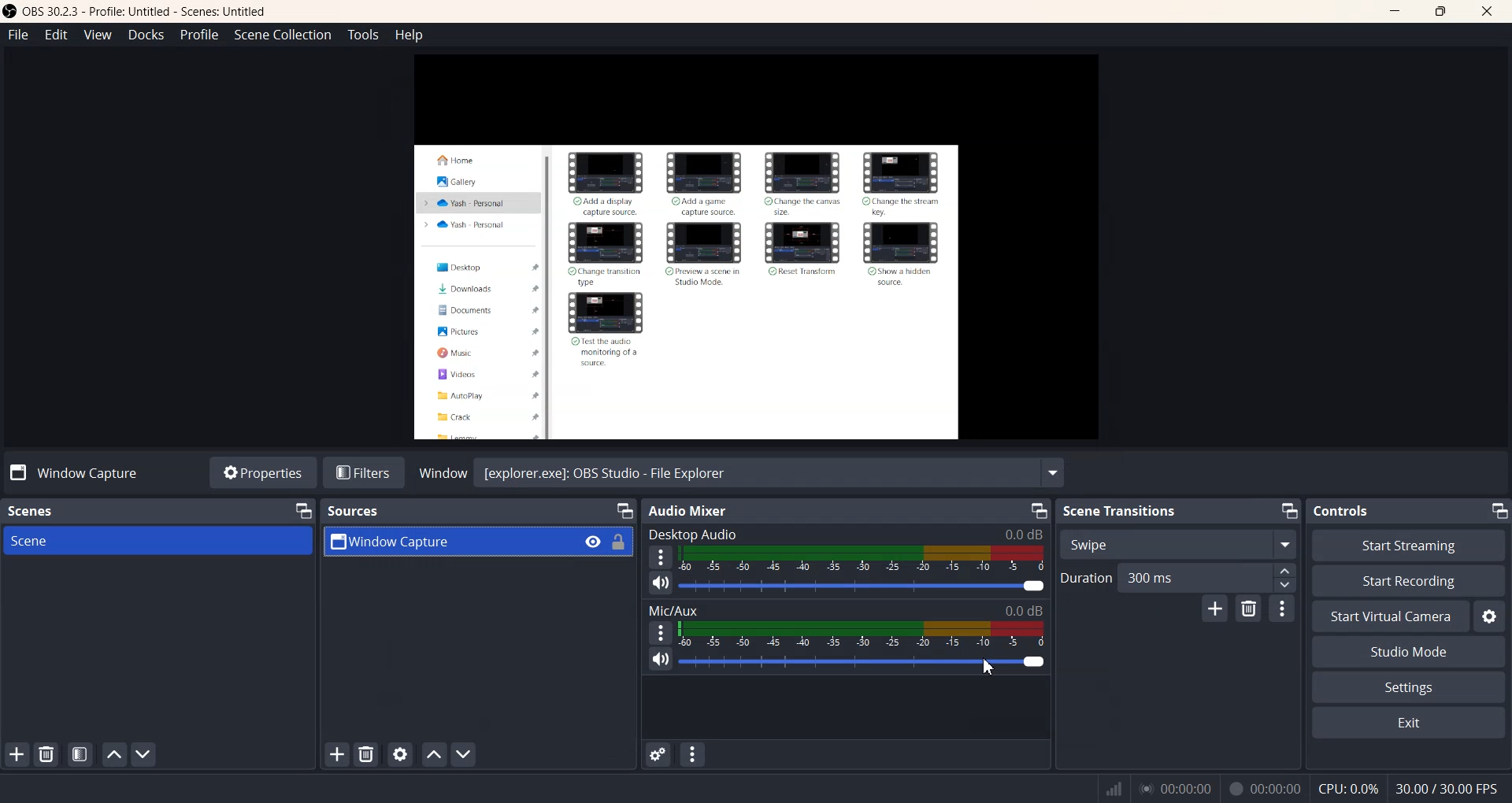  Describe the element at coordinates (658, 754) in the screenshot. I see `Advance Audio properties` at that location.